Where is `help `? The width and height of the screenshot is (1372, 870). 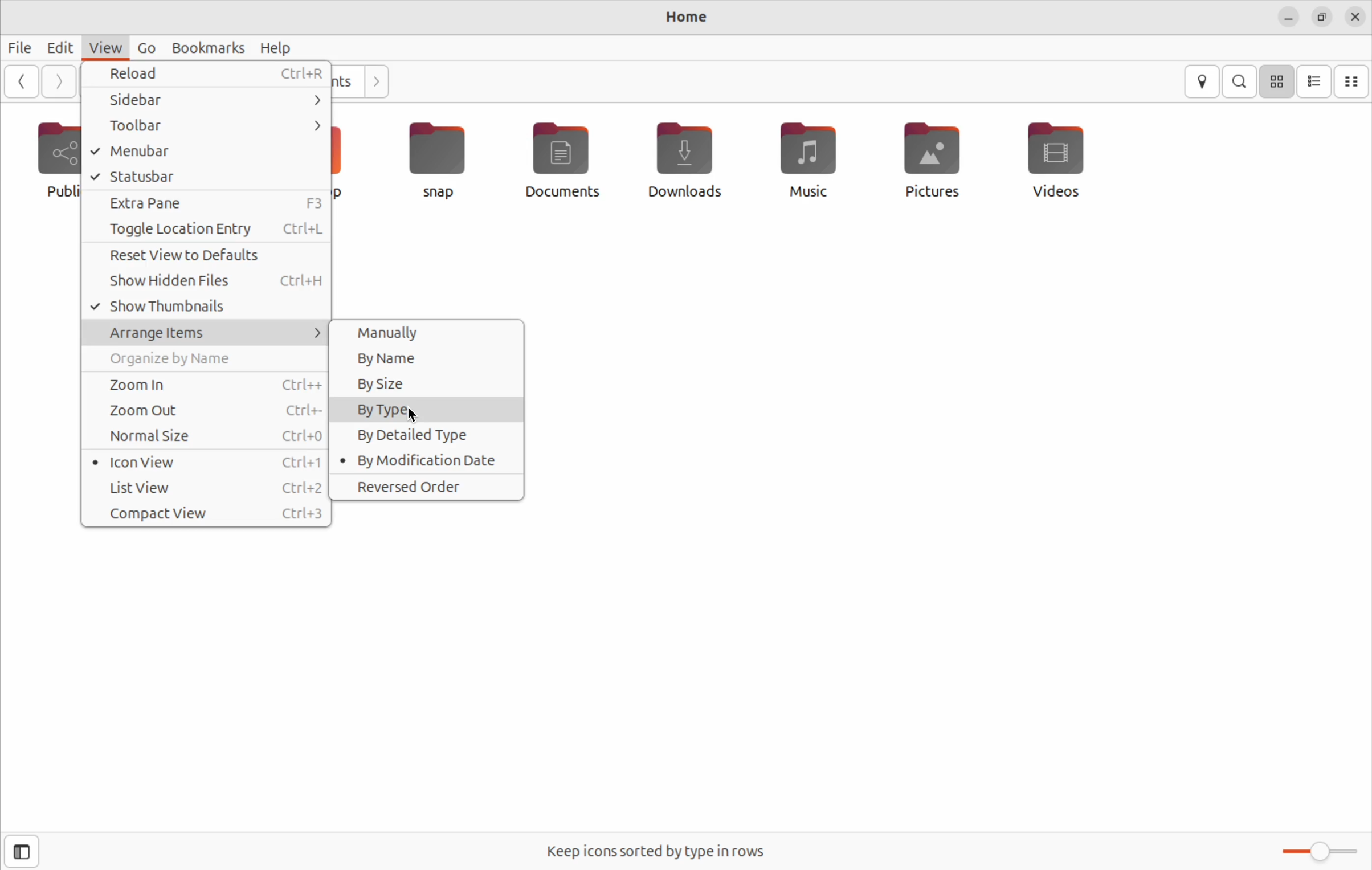
help  is located at coordinates (276, 47).